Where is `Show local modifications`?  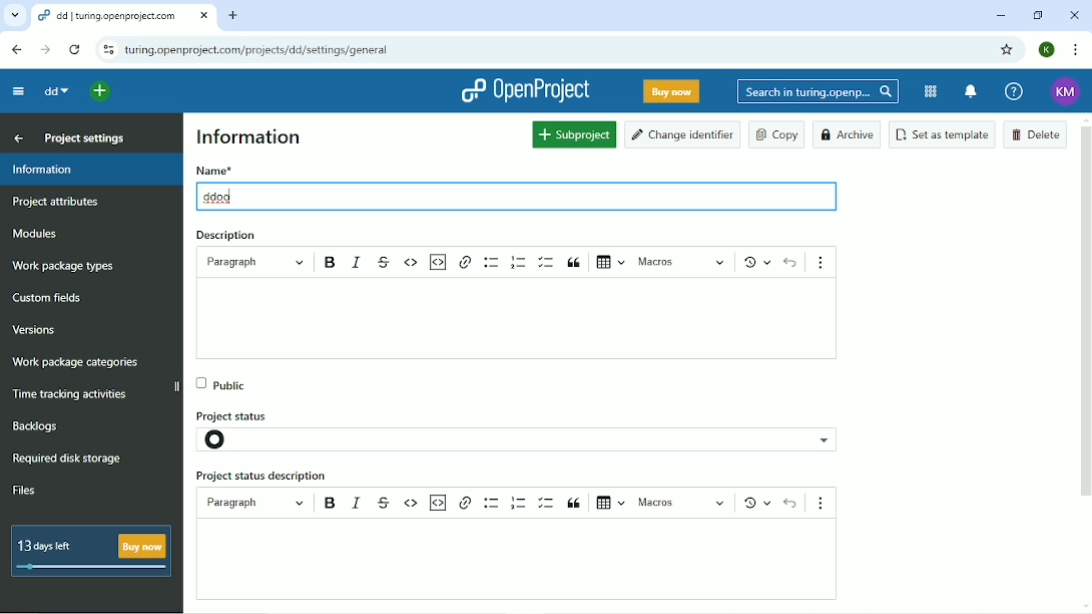
Show local modifications is located at coordinates (754, 501).